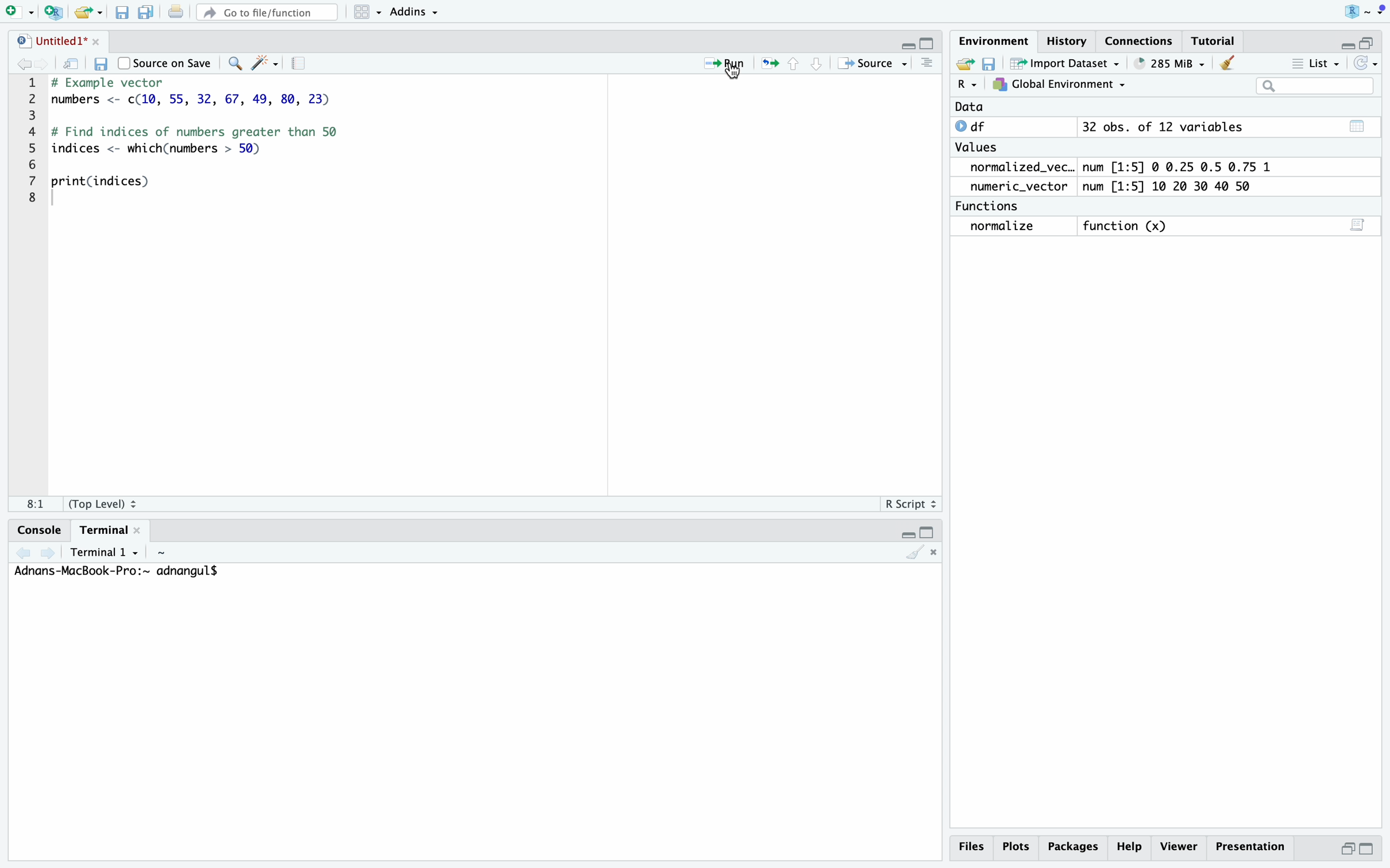 This screenshot has width=1390, height=868. I want to click on Files, so click(973, 849).